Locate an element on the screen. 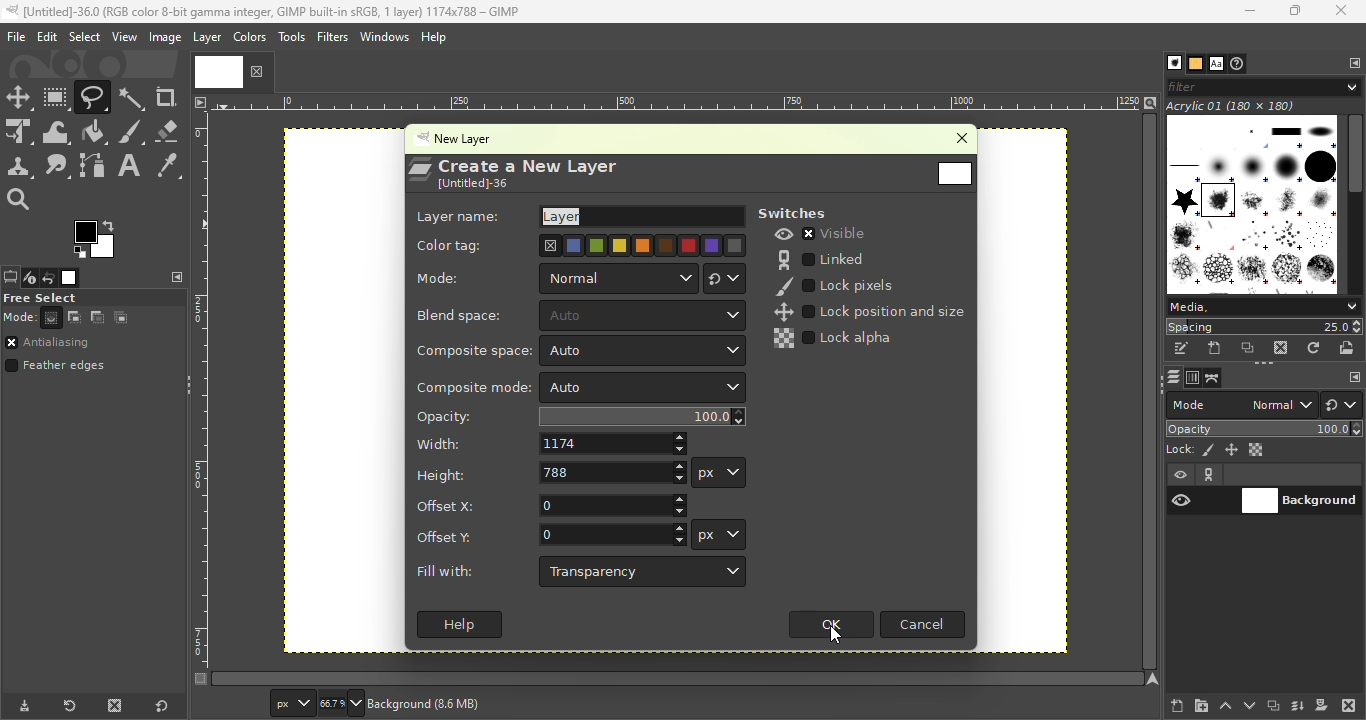 The image size is (1366, 720). Channels is located at coordinates (1191, 378).